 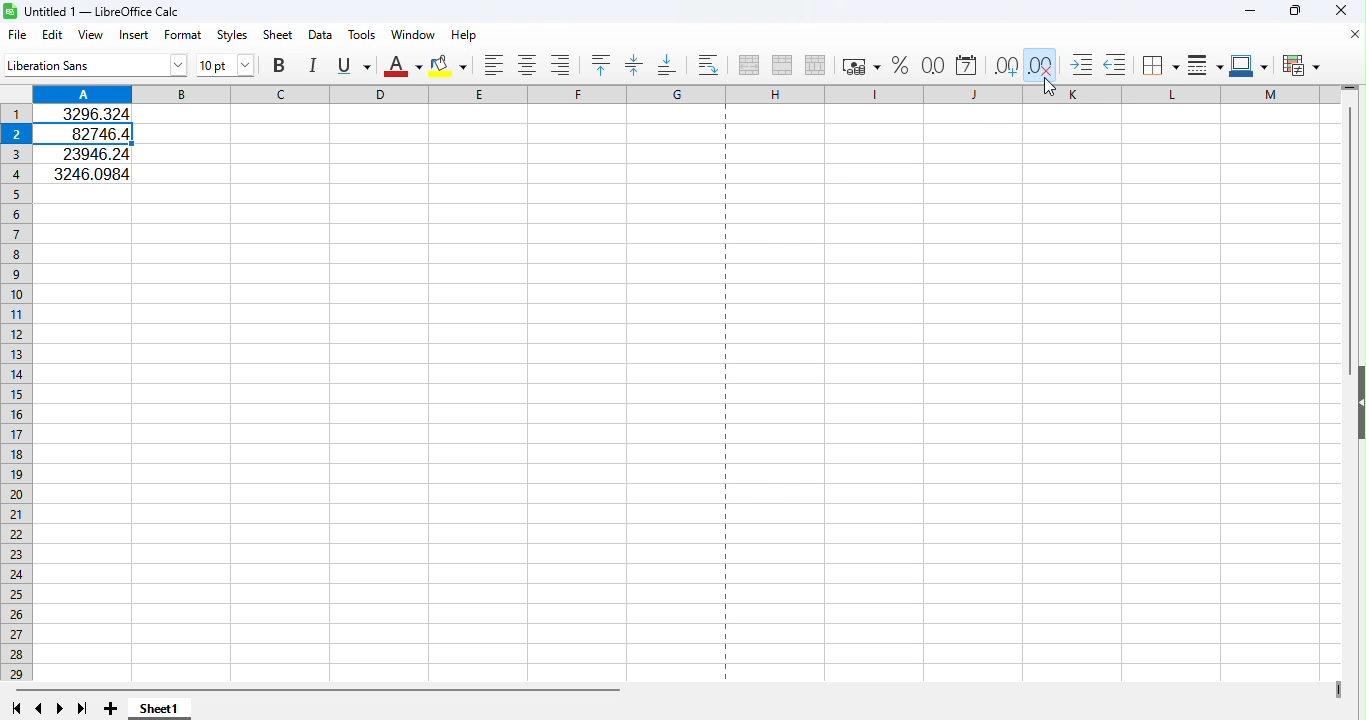 I want to click on Border style, so click(x=1205, y=63).